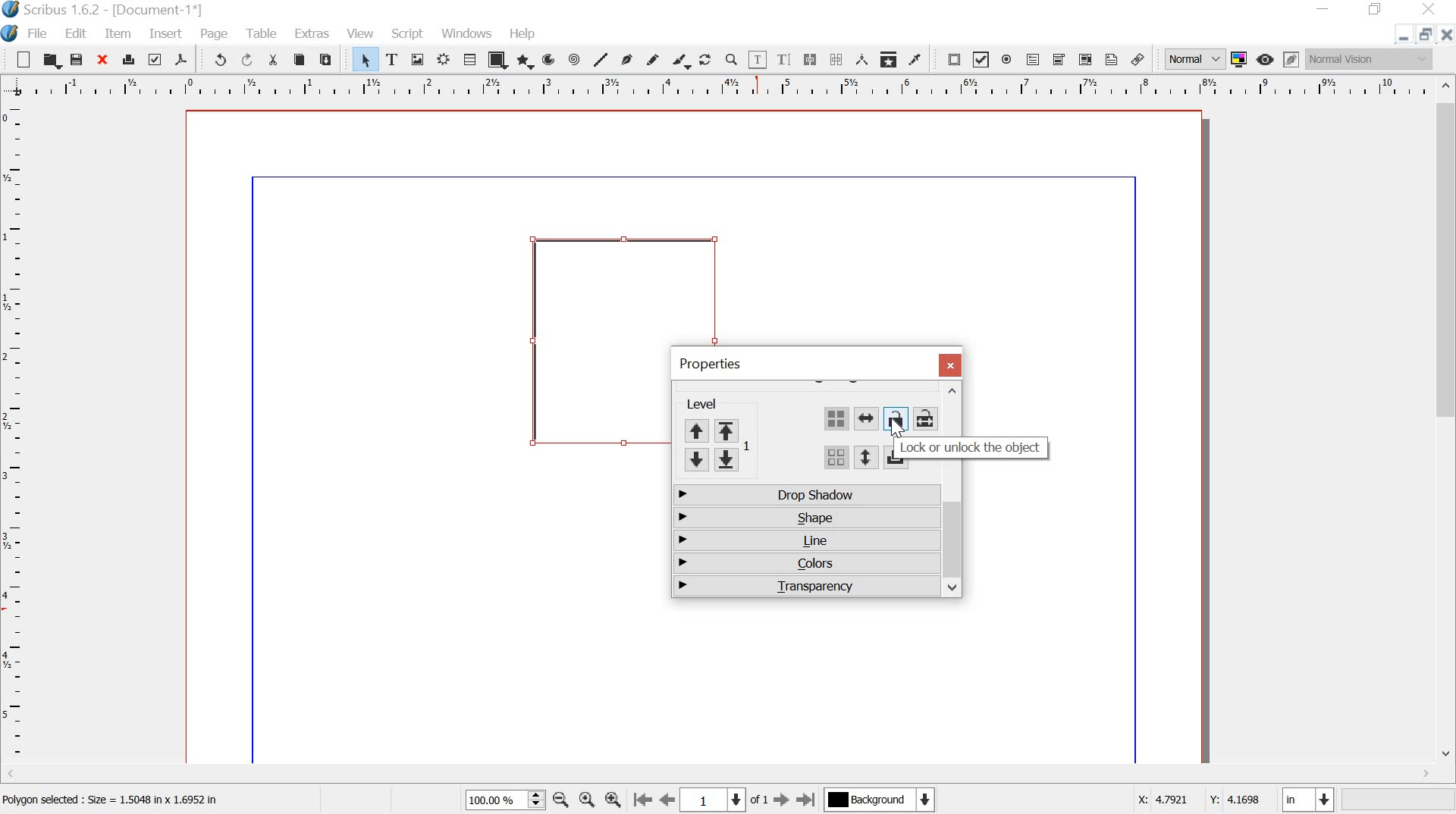 The width and height of the screenshot is (1456, 814). I want to click on table, so click(263, 34).